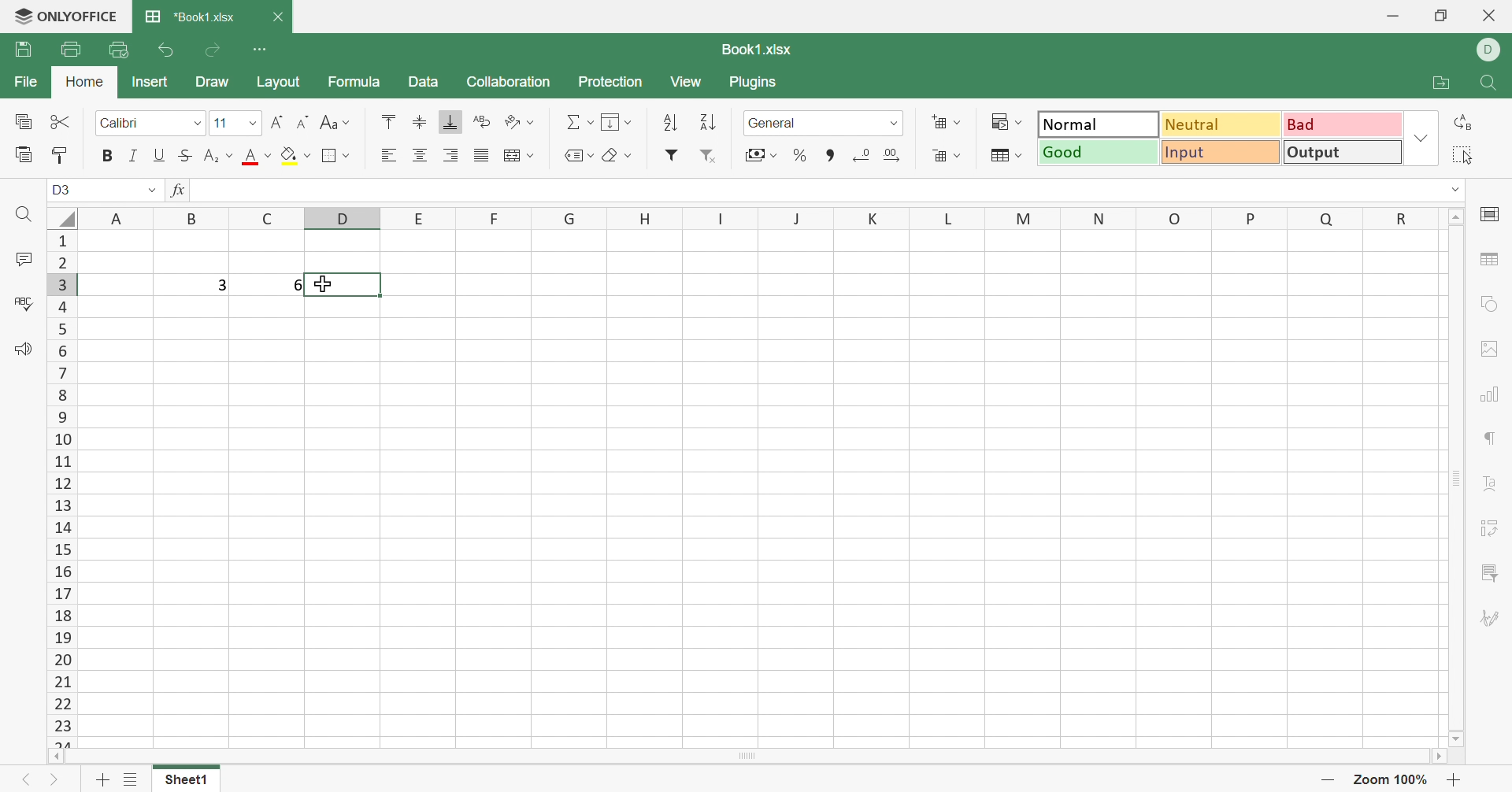  Describe the element at coordinates (354, 81) in the screenshot. I see `Formula` at that location.